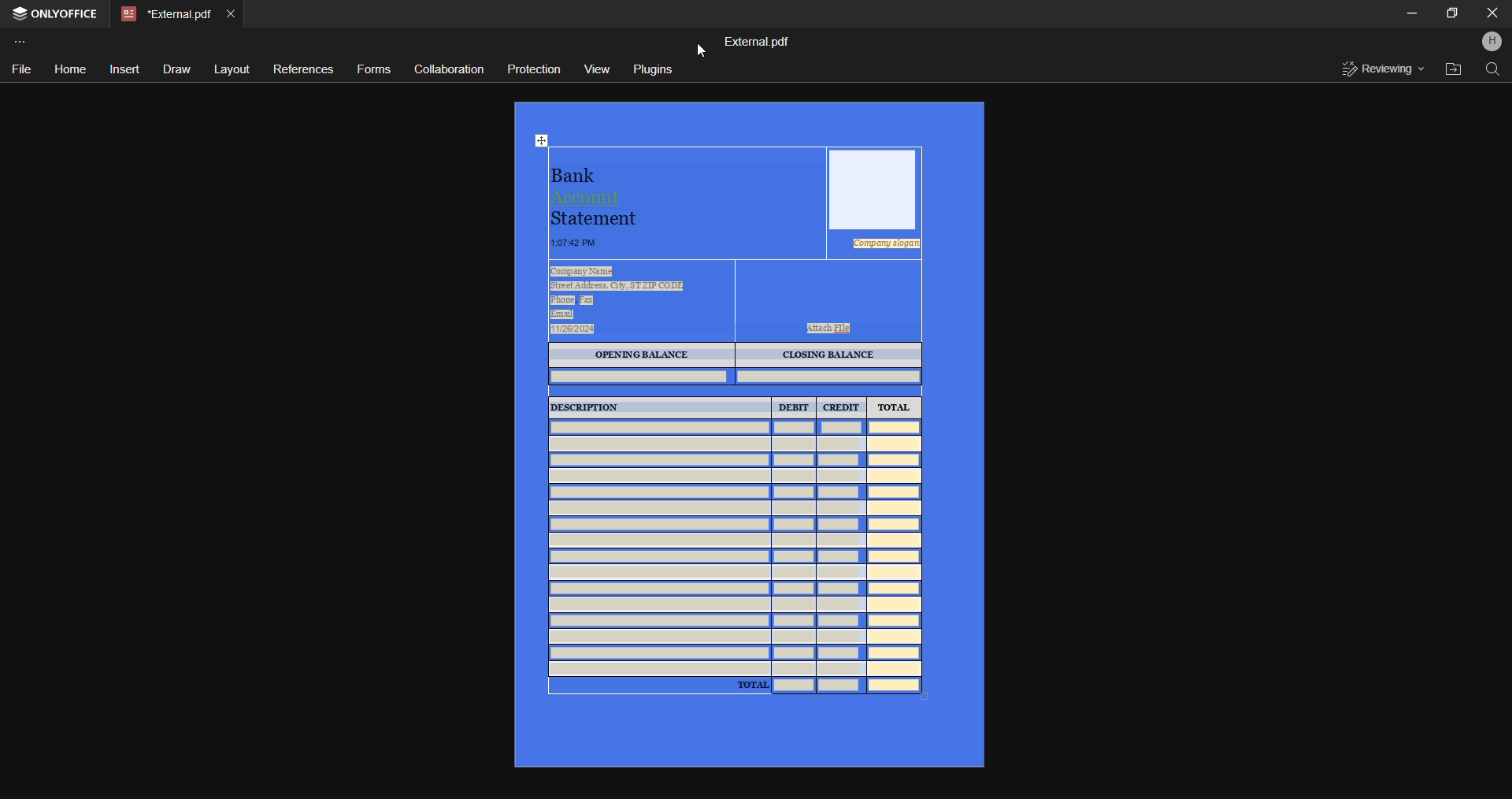  Describe the element at coordinates (373, 68) in the screenshot. I see `Forms` at that location.